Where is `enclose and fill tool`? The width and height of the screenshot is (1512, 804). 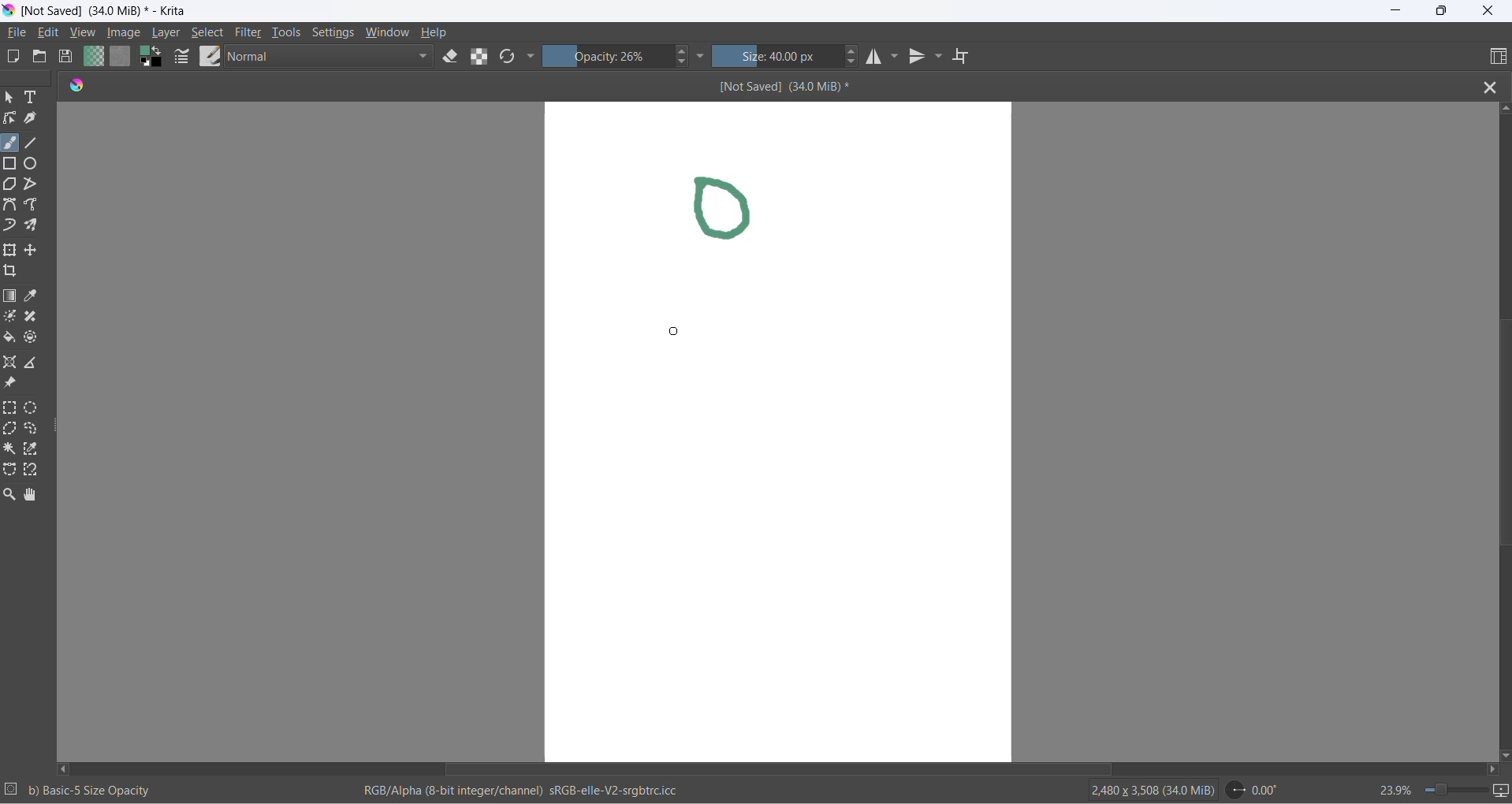
enclose and fill tool is located at coordinates (35, 336).